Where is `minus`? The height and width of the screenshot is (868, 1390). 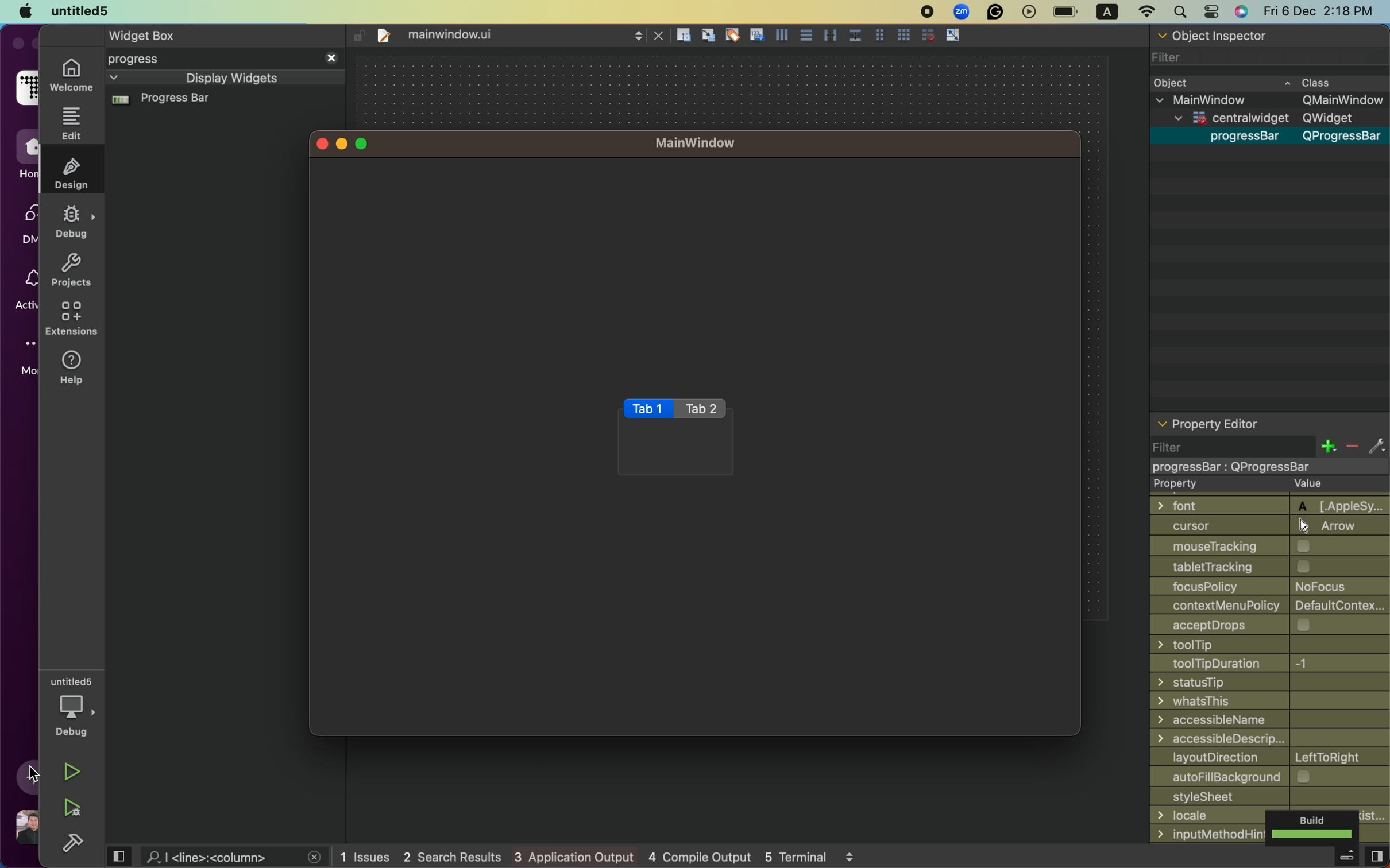 minus is located at coordinates (1352, 447).